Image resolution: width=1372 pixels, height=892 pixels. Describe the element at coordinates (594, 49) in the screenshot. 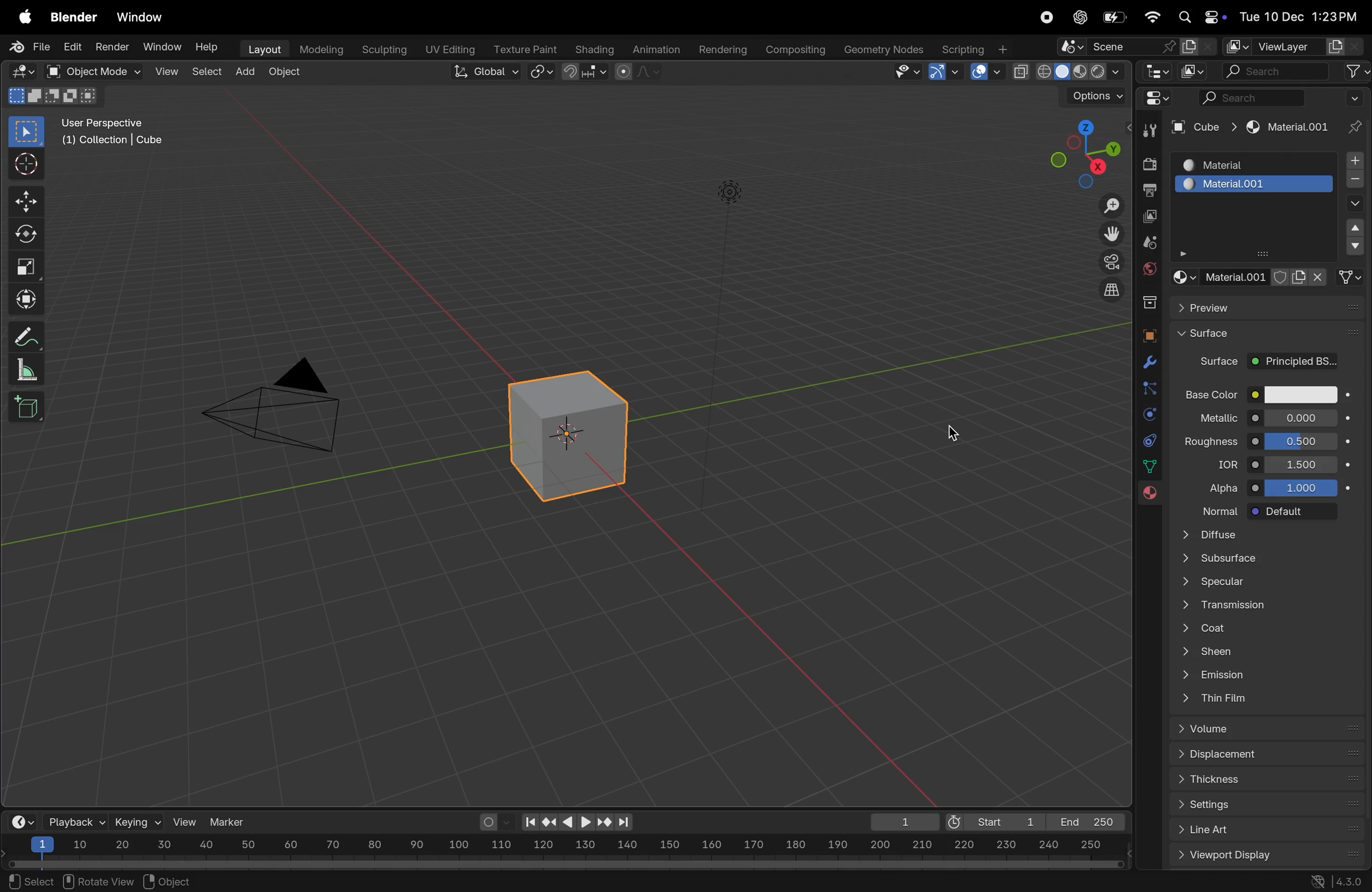

I see `Shading` at that location.